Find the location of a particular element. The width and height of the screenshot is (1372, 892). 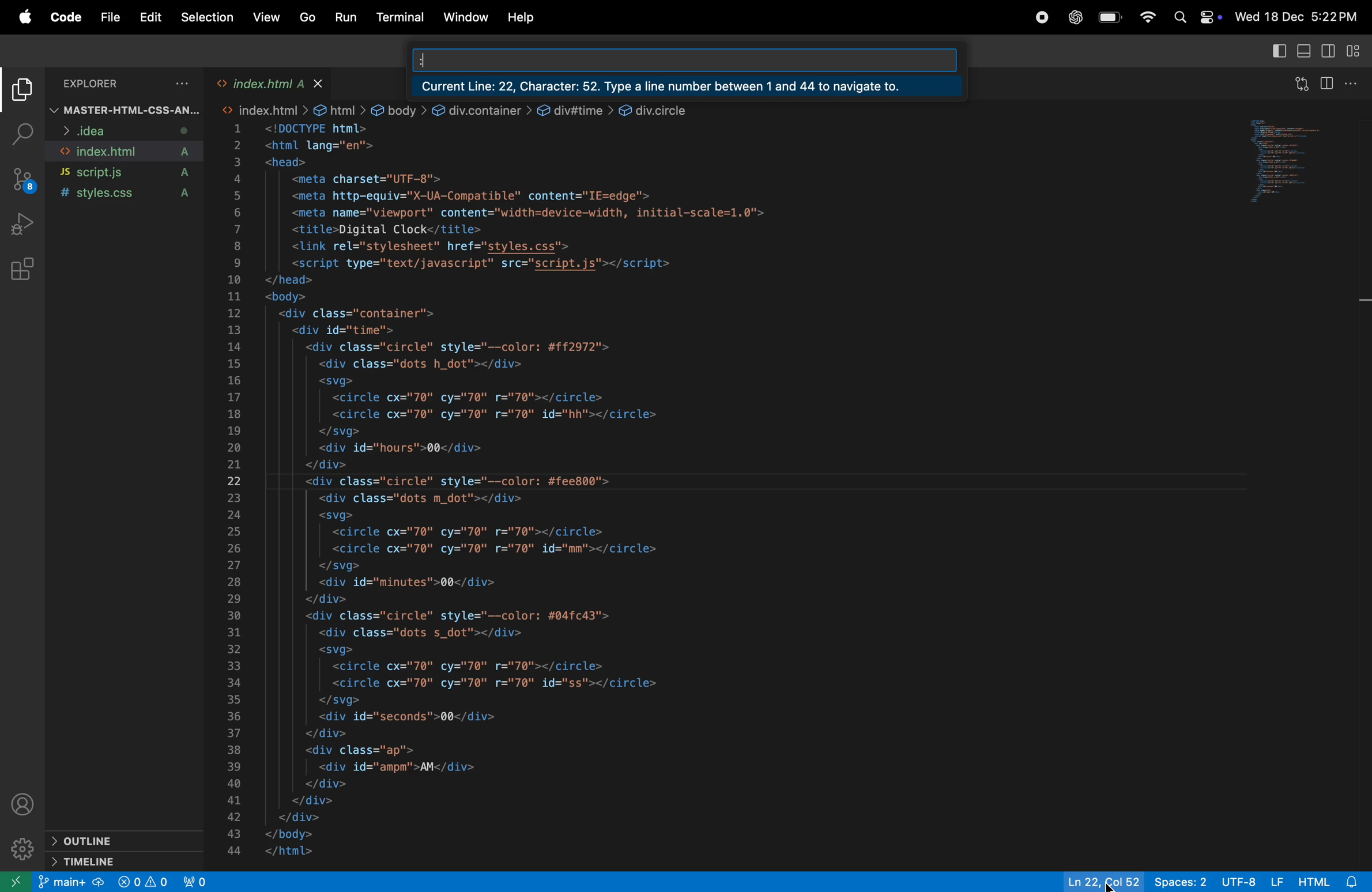

utf -8 lf is located at coordinates (1253, 880).